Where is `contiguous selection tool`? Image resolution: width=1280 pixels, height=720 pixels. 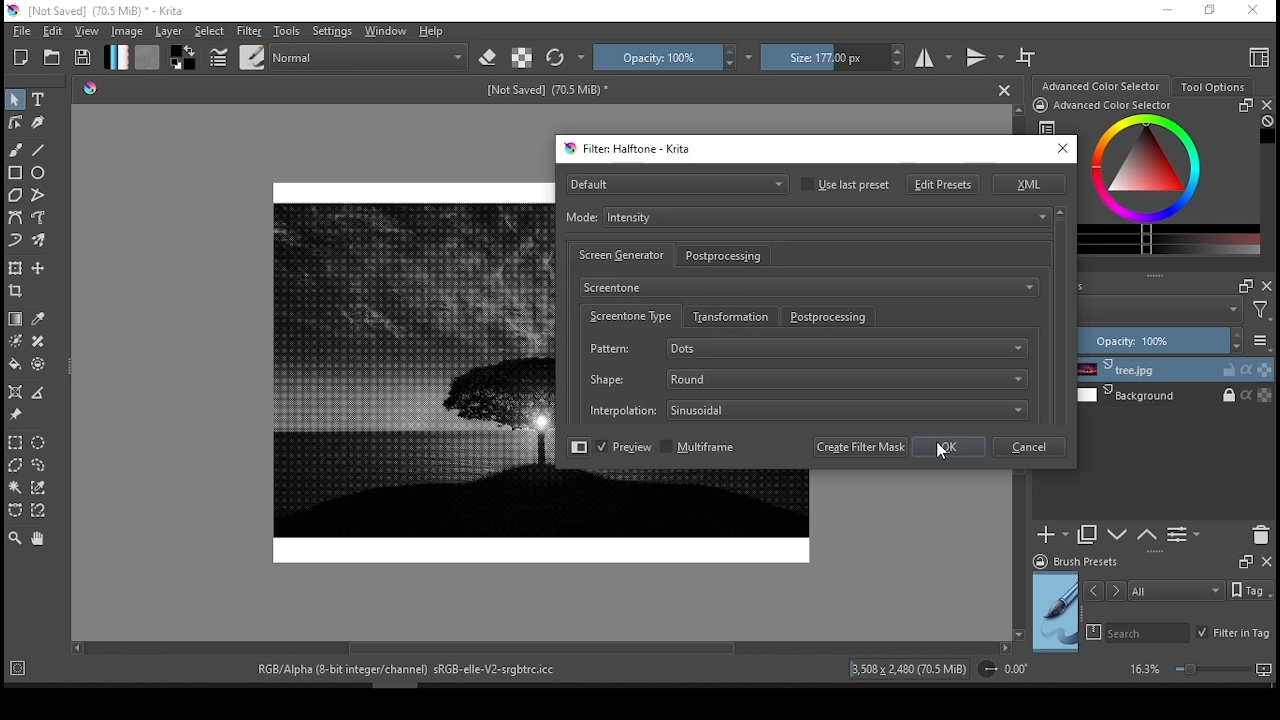 contiguous selection tool is located at coordinates (15, 487).